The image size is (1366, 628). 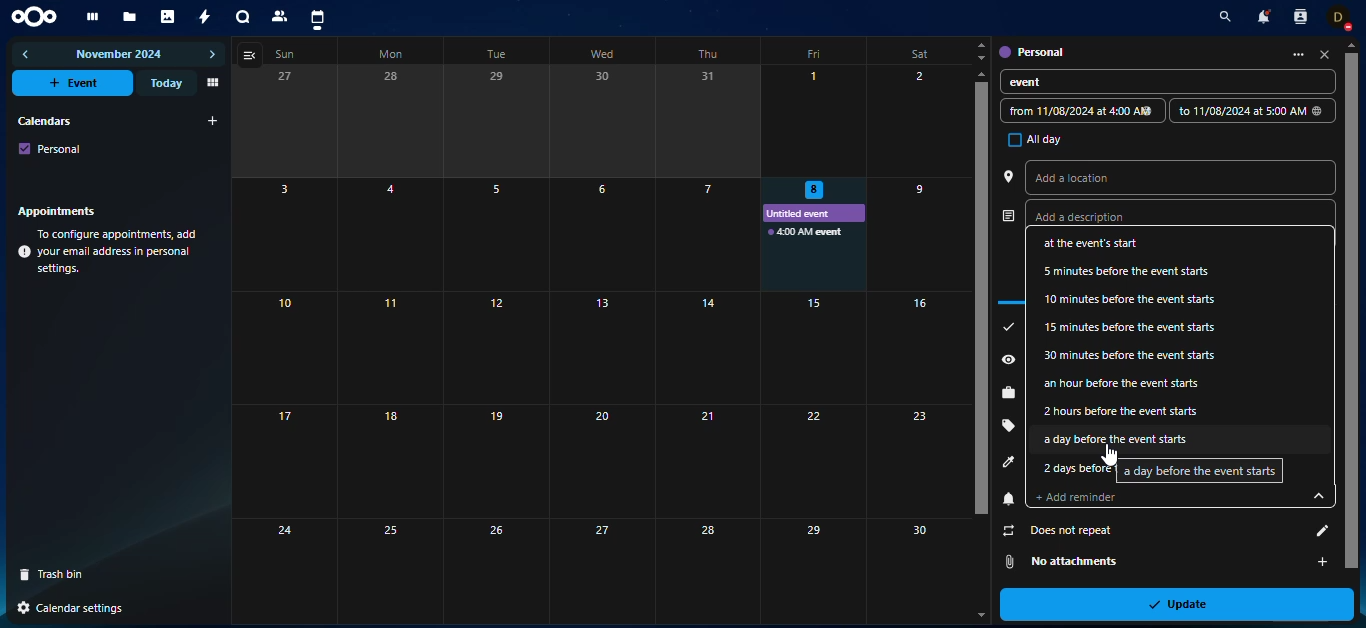 I want to click on add, so click(x=213, y=121).